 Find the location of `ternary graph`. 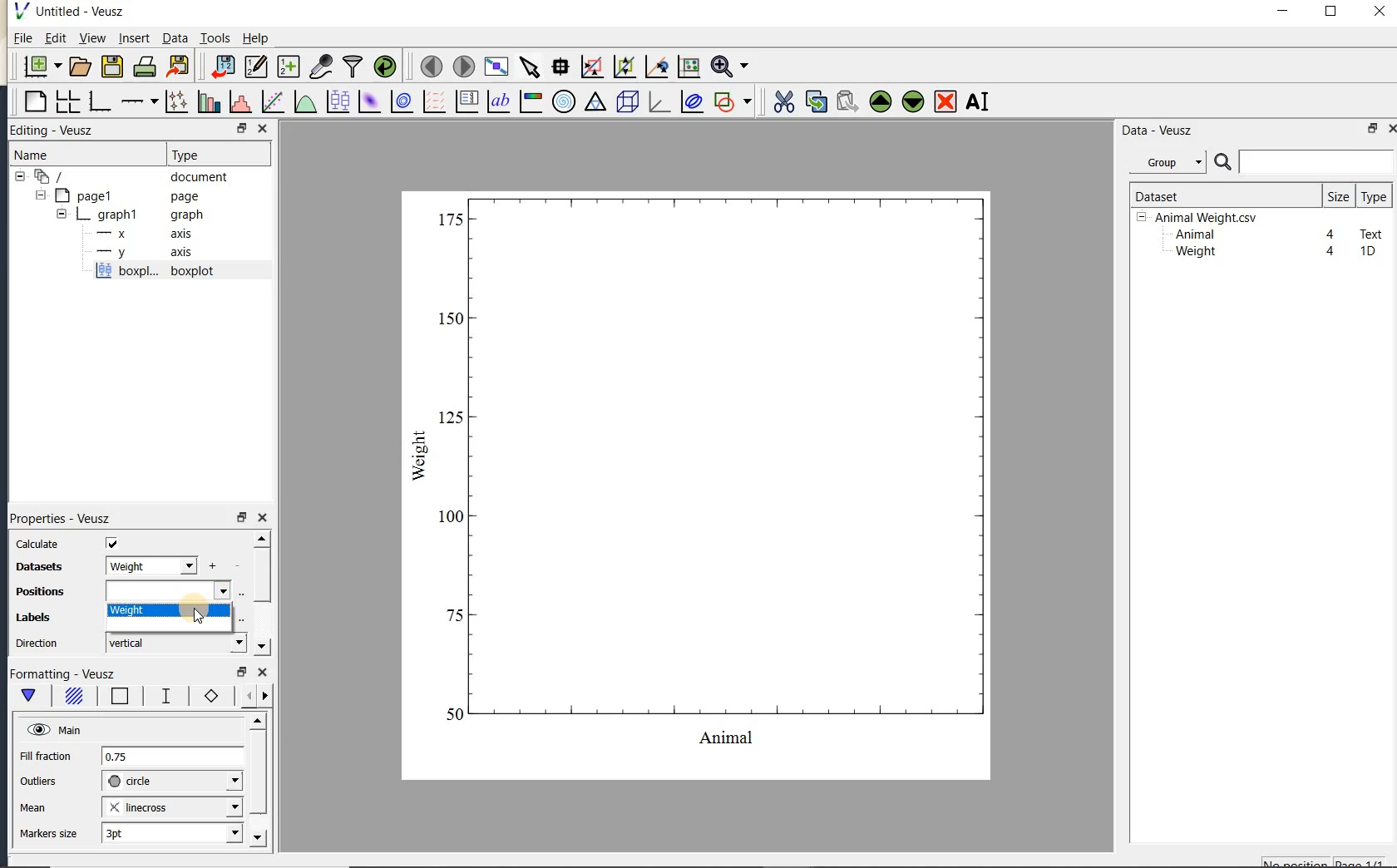

ternary graph is located at coordinates (595, 104).